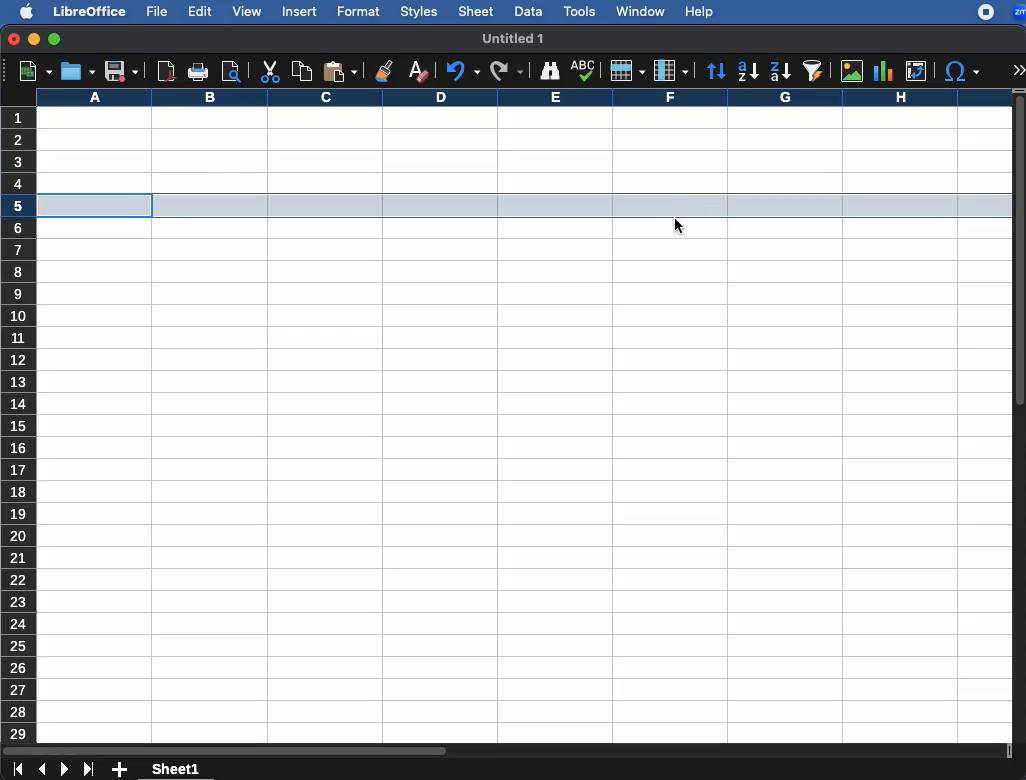  Describe the element at coordinates (1020, 417) in the screenshot. I see `scroll` at that location.